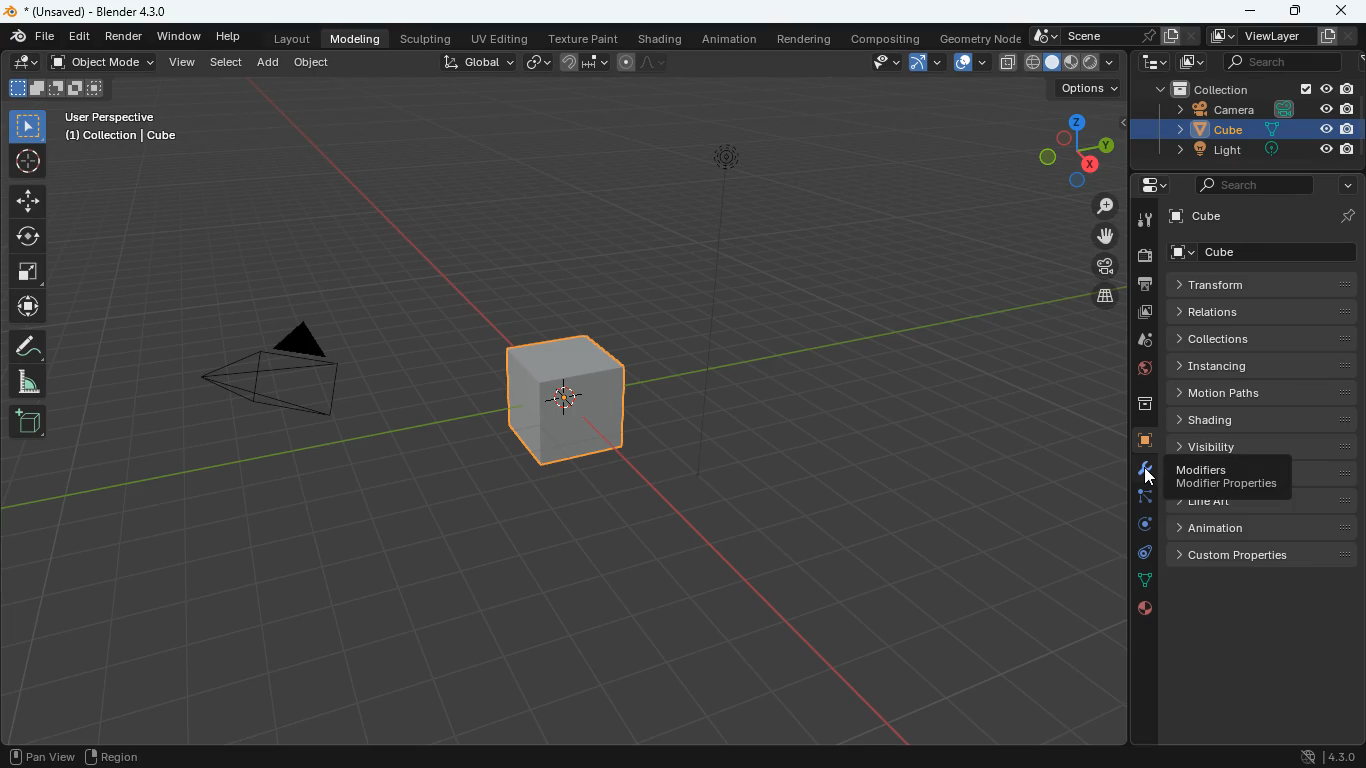 The height and width of the screenshot is (768, 1366). I want to click on settings, so click(1147, 186).